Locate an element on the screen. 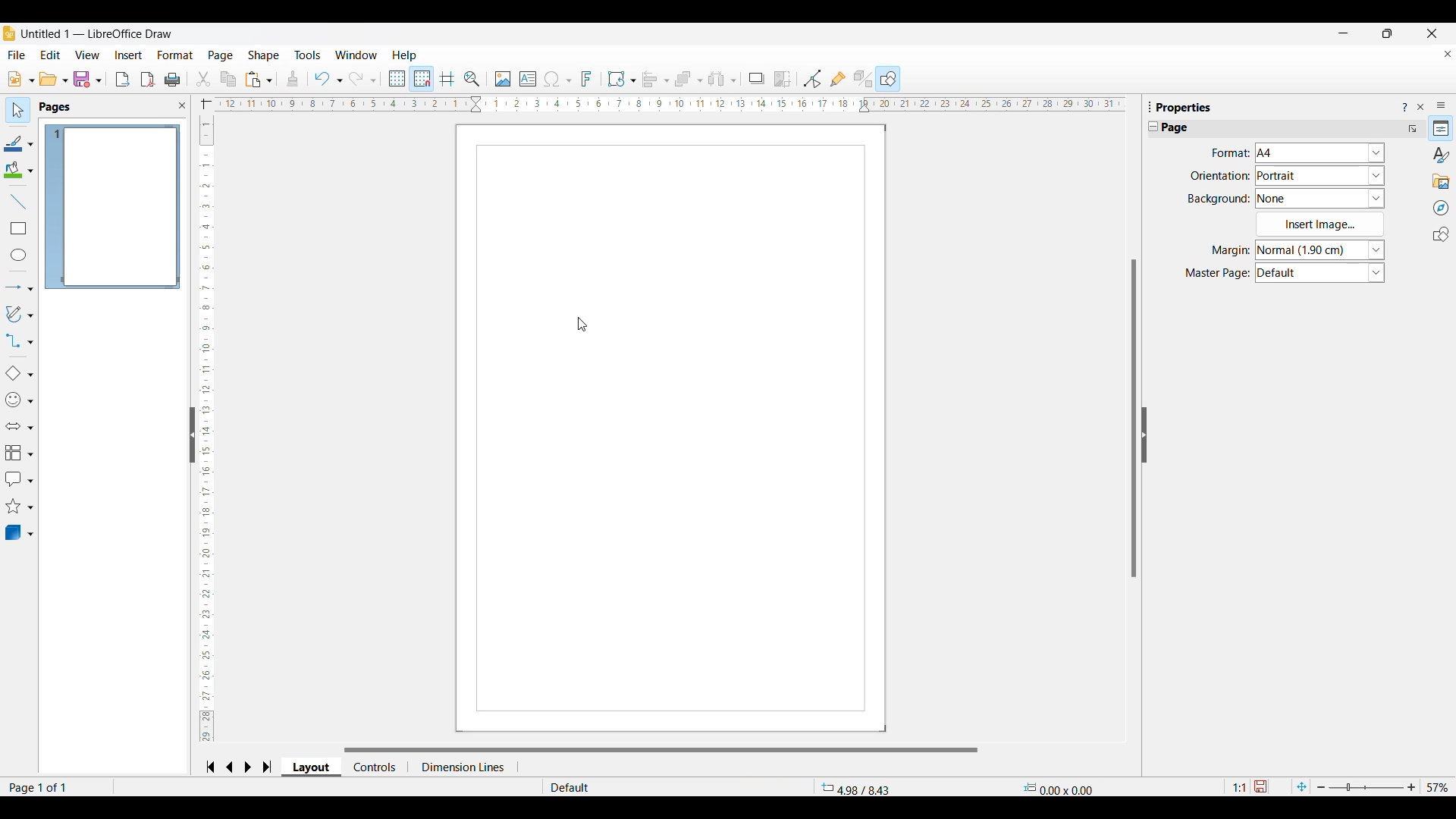 Image resolution: width=1456 pixels, height=819 pixels. Master page is located at coordinates (1218, 273).